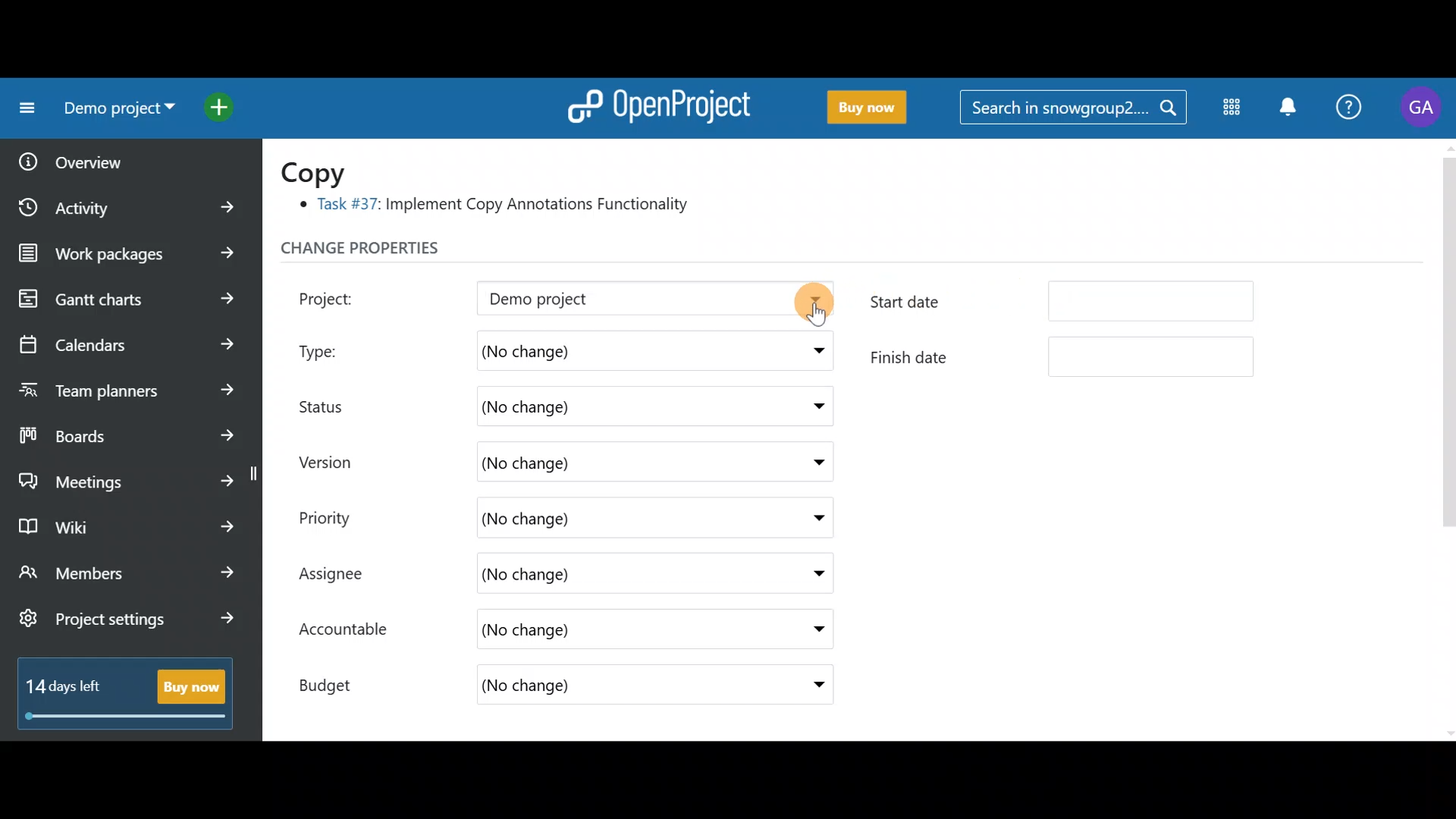  Describe the element at coordinates (1350, 109) in the screenshot. I see `Help` at that location.